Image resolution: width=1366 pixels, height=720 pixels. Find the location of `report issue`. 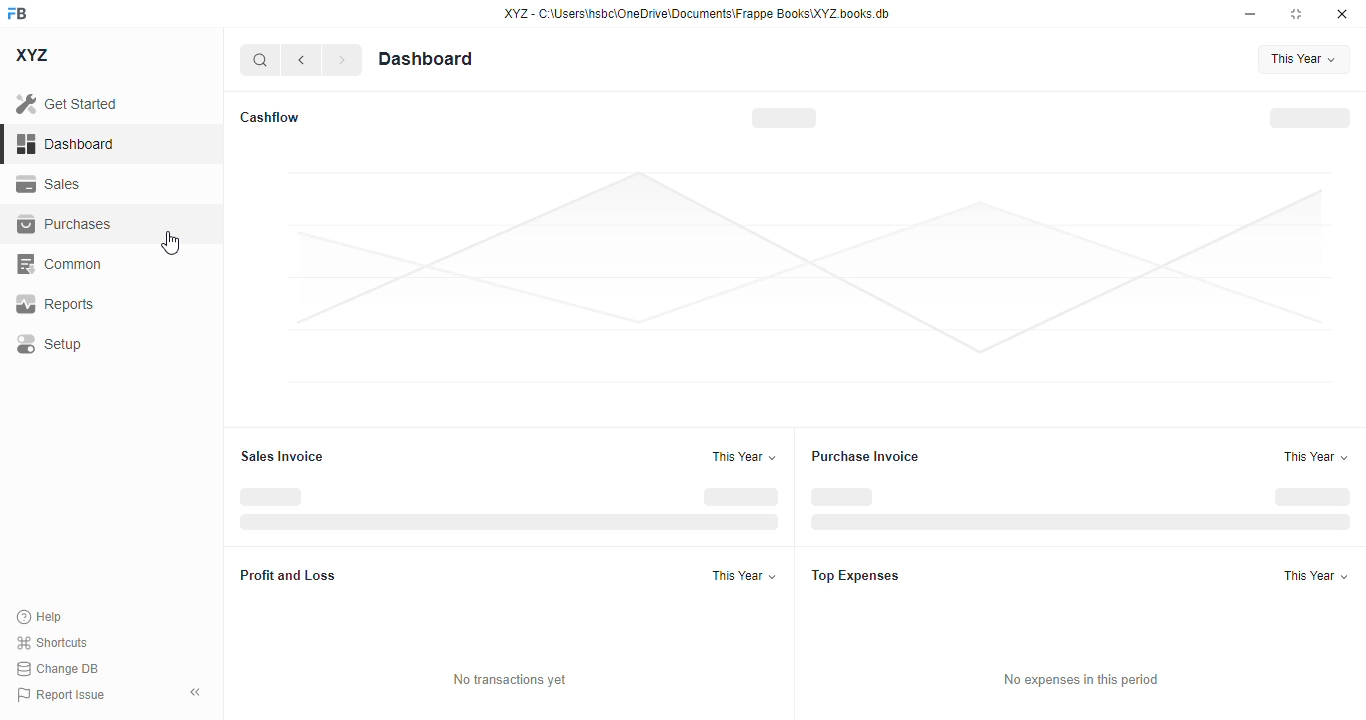

report issue is located at coordinates (60, 695).